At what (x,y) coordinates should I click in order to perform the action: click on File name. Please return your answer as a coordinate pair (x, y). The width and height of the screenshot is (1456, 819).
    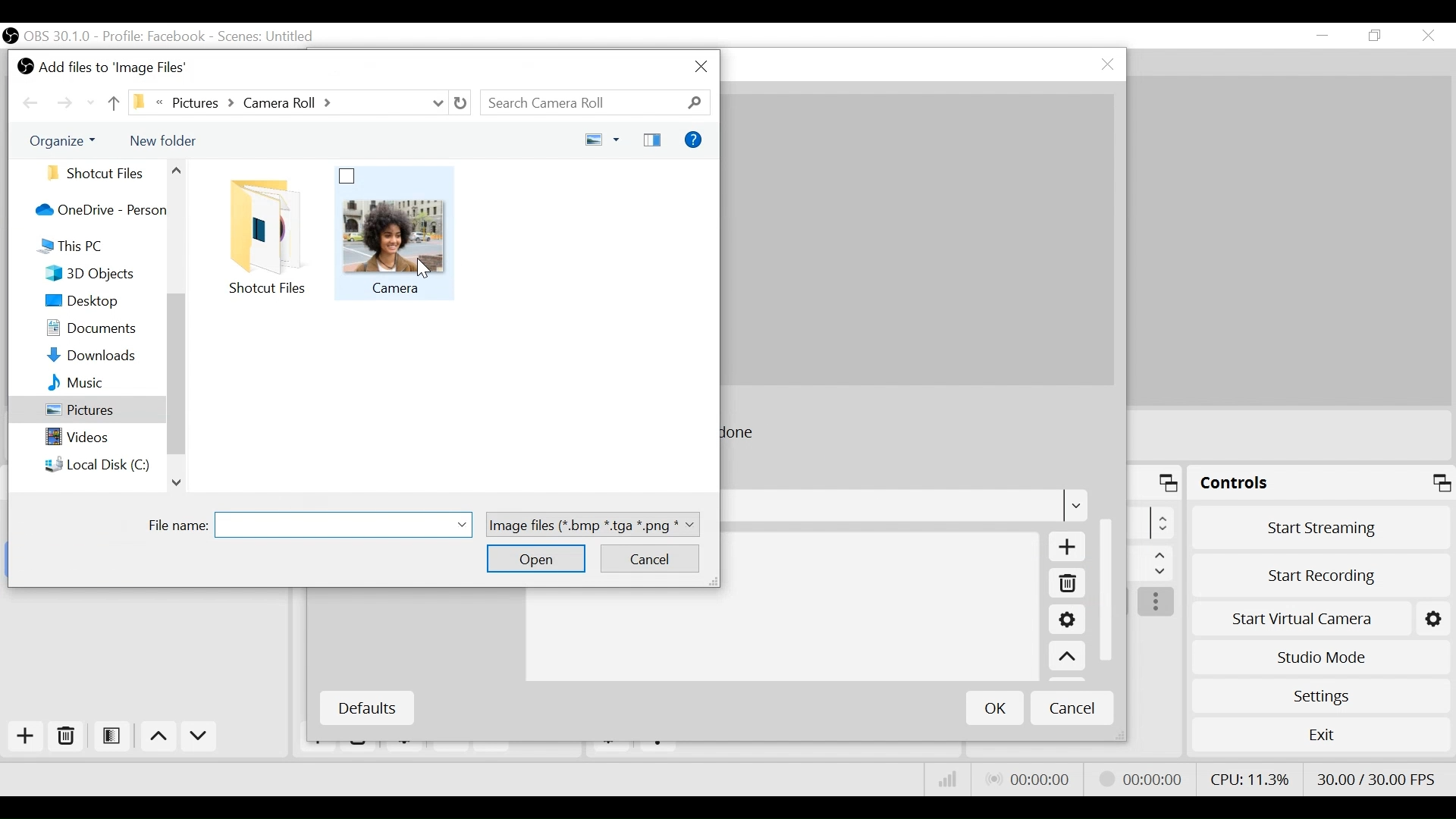
    Looking at the image, I should click on (312, 523).